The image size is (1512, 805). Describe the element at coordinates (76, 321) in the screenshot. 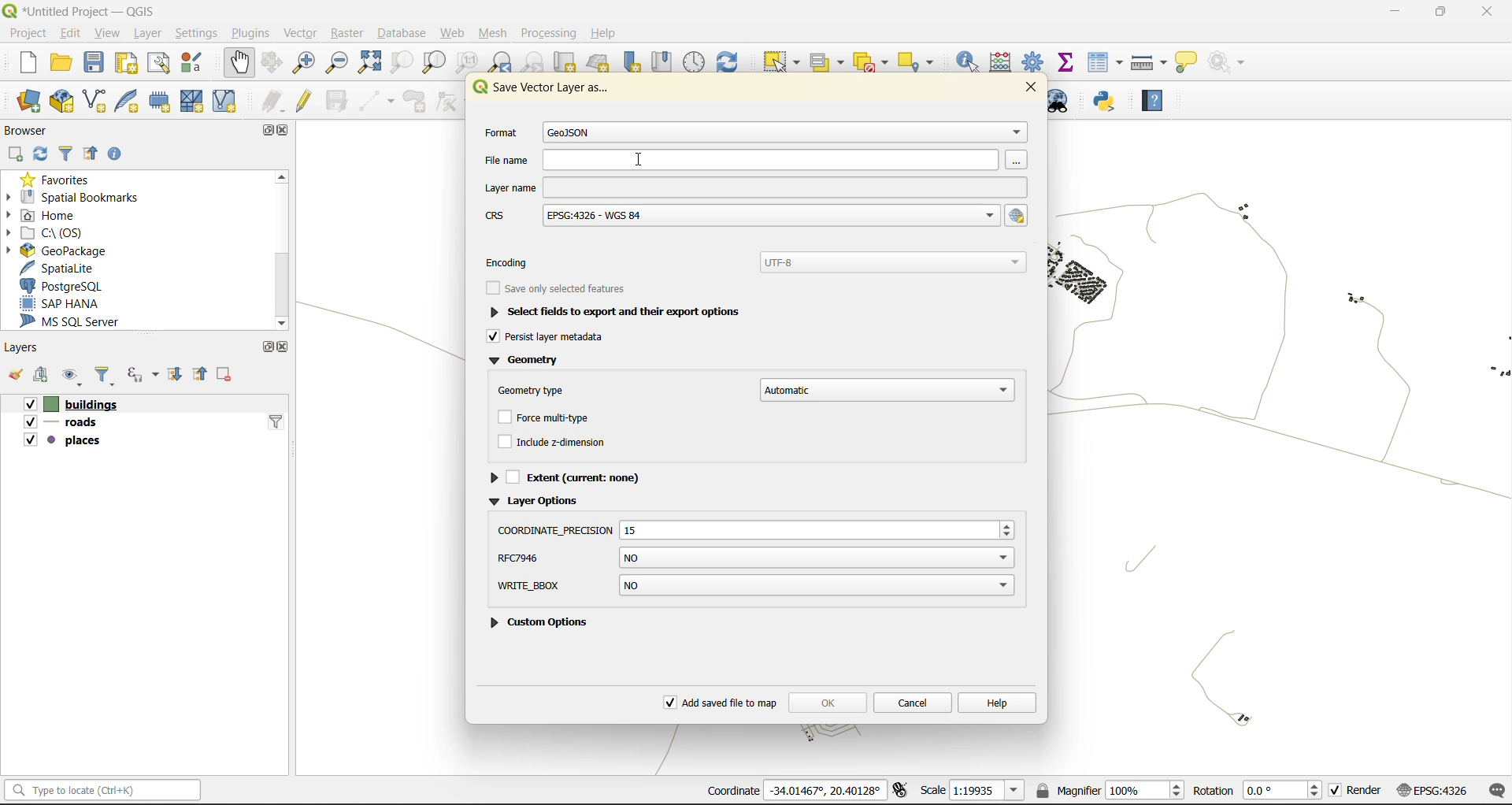

I see `ms sql server` at that location.